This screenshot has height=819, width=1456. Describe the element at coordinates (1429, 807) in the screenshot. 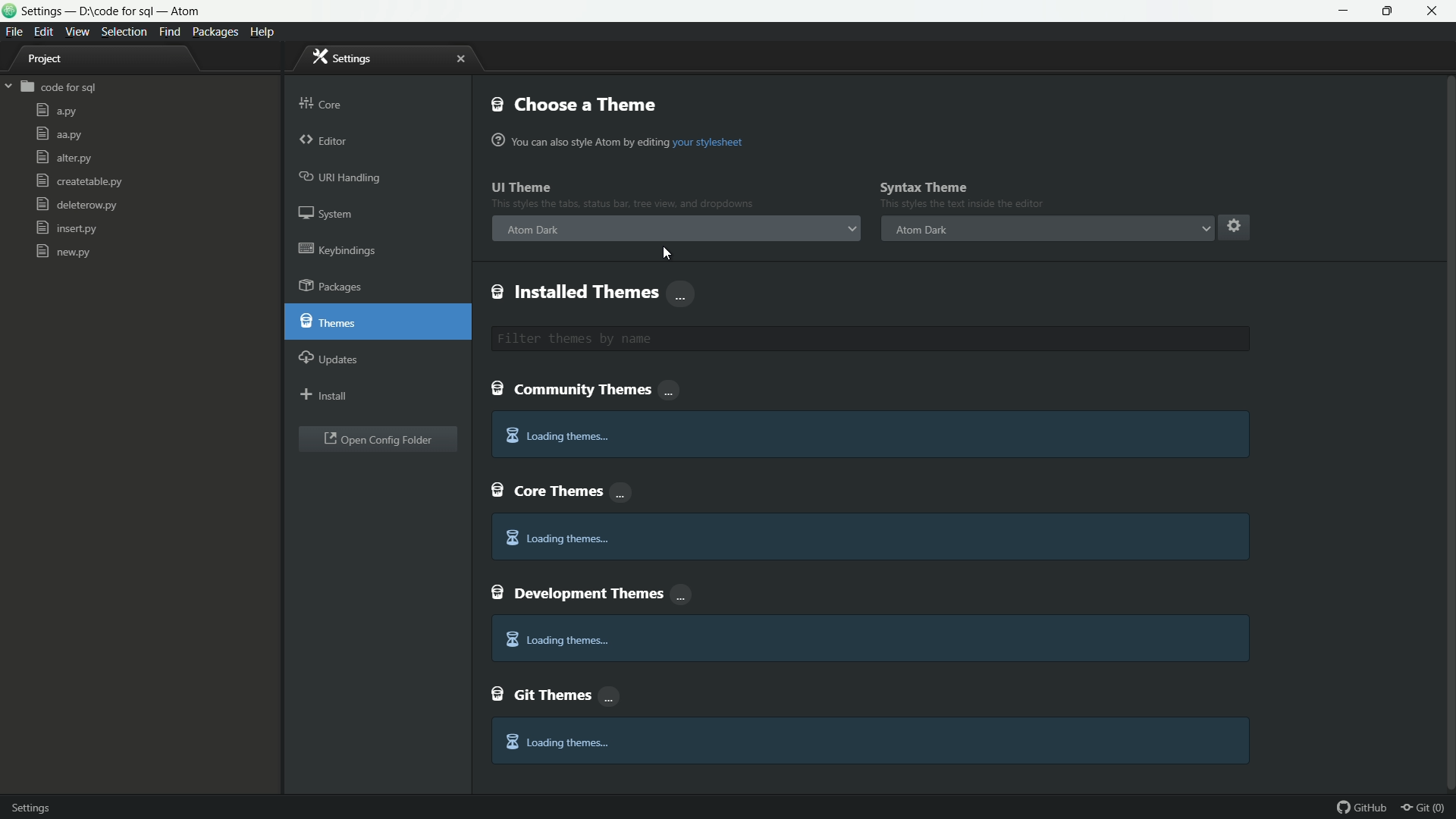

I see `git` at that location.